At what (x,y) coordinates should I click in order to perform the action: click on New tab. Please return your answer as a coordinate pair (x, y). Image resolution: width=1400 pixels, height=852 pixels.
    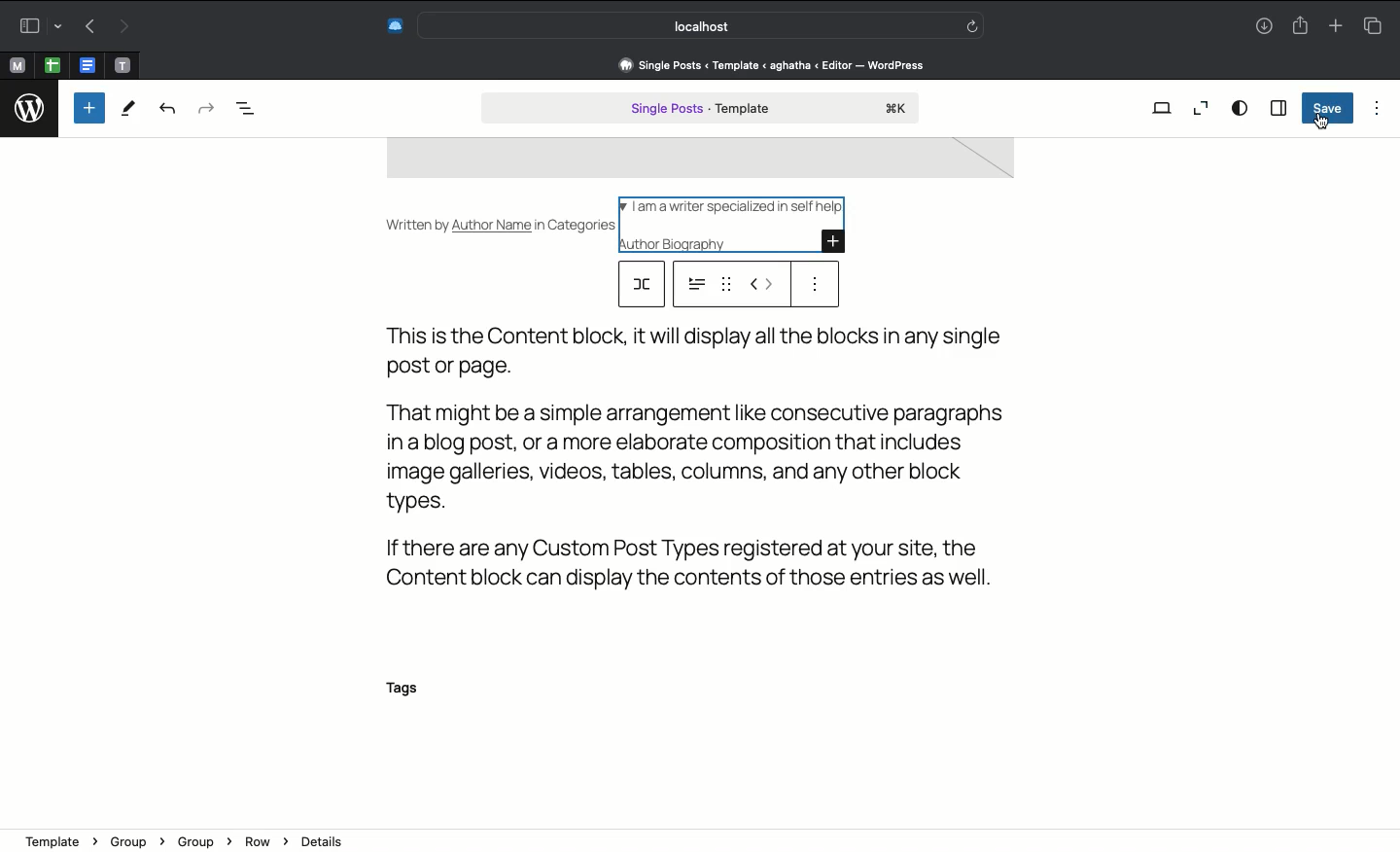
    Looking at the image, I should click on (1336, 27).